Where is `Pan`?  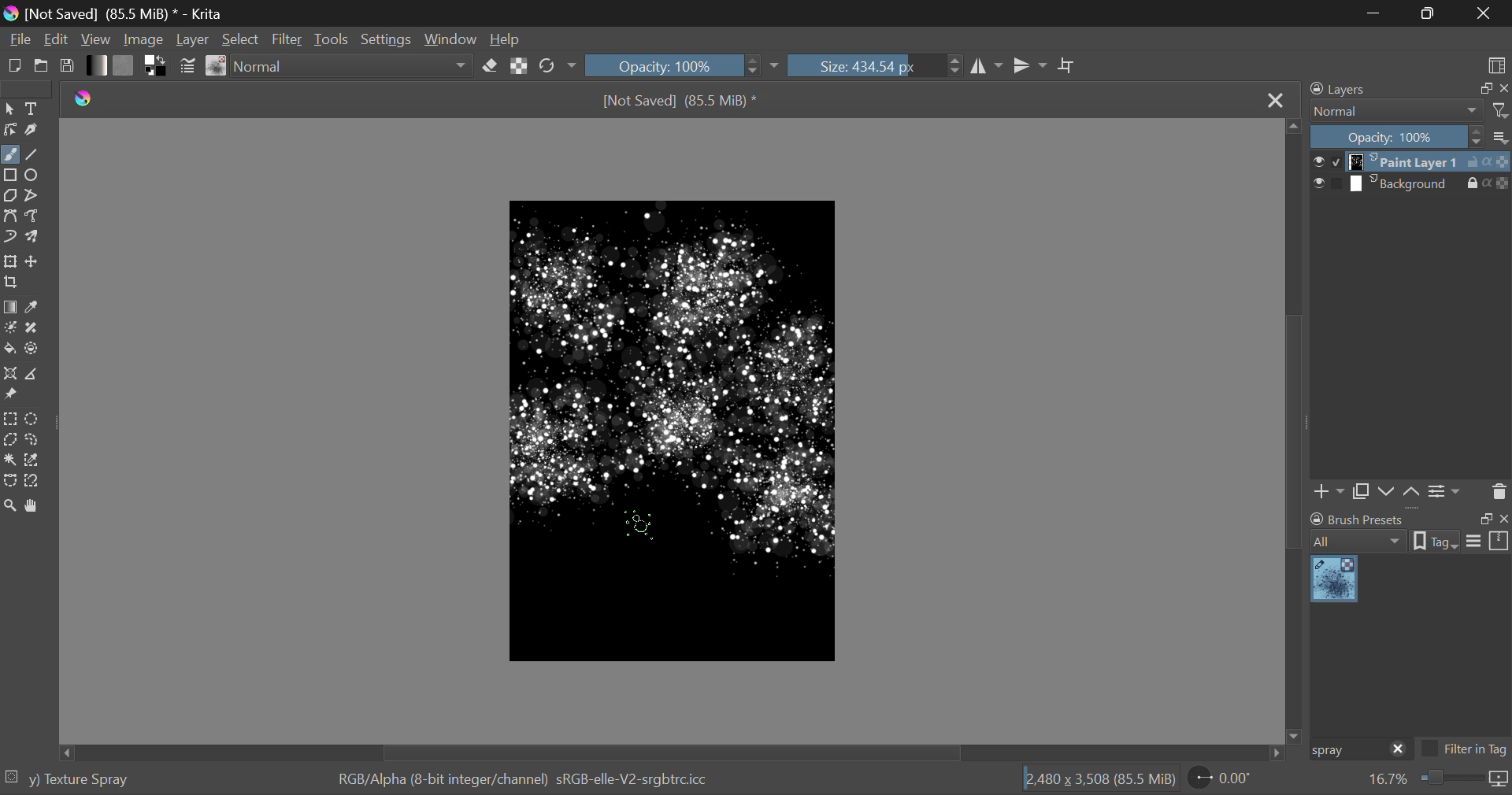
Pan is located at coordinates (35, 507).